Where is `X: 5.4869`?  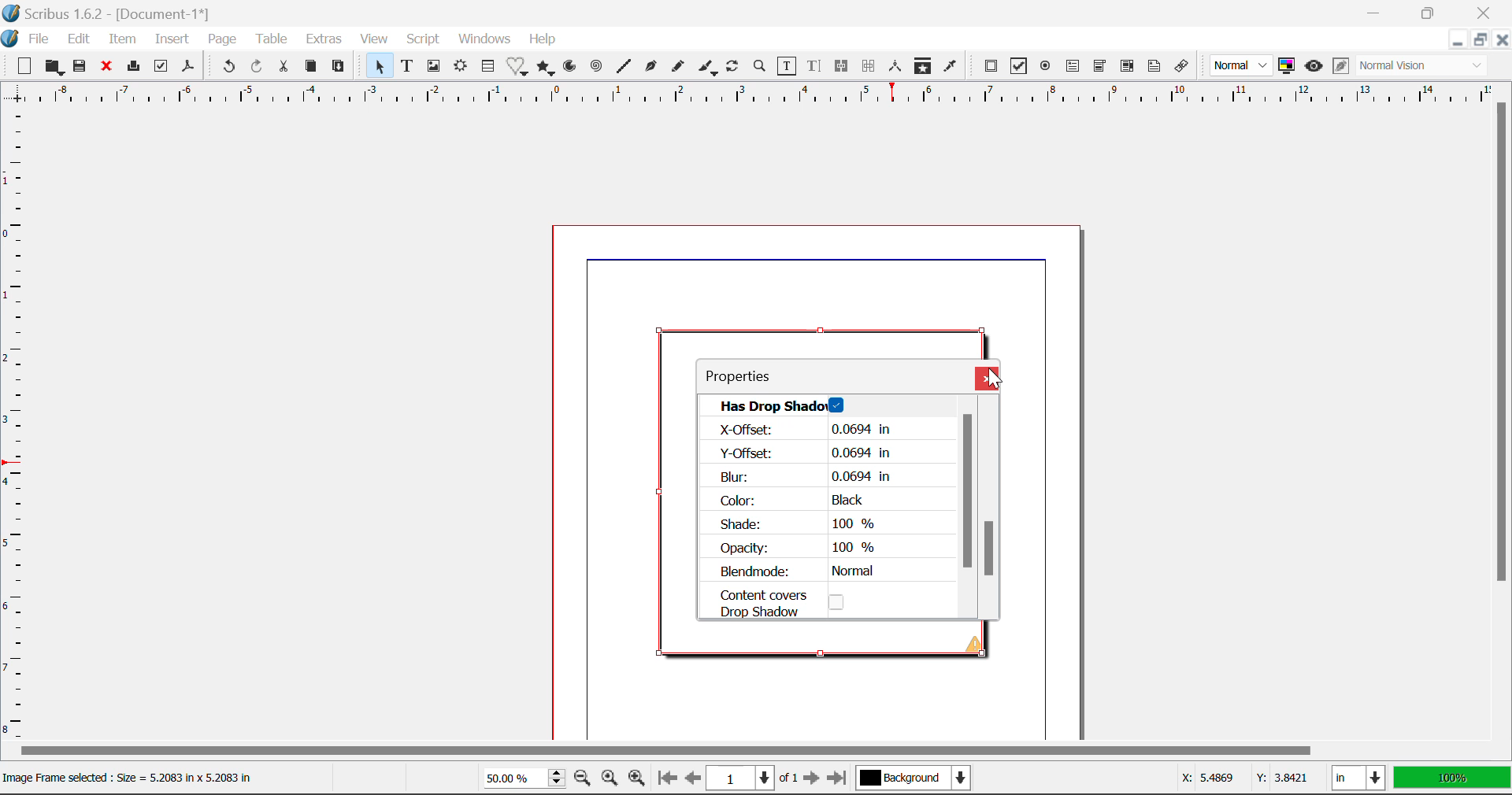 X: 5.4869 is located at coordinates (1206, 777).